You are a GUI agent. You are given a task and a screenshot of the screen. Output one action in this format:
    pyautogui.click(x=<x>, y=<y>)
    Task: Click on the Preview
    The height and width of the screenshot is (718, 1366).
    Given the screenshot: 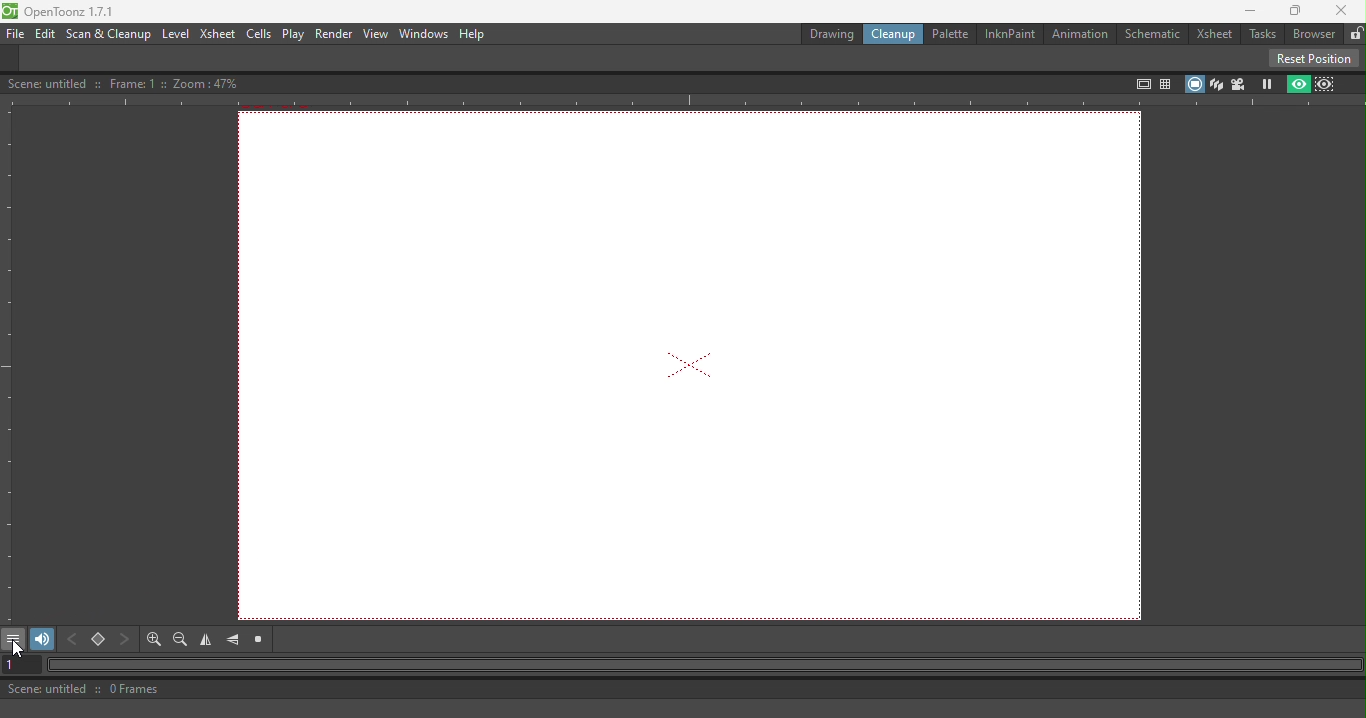 What is the action you would take?
    pyautogui.click(x=1296, y=84)
    